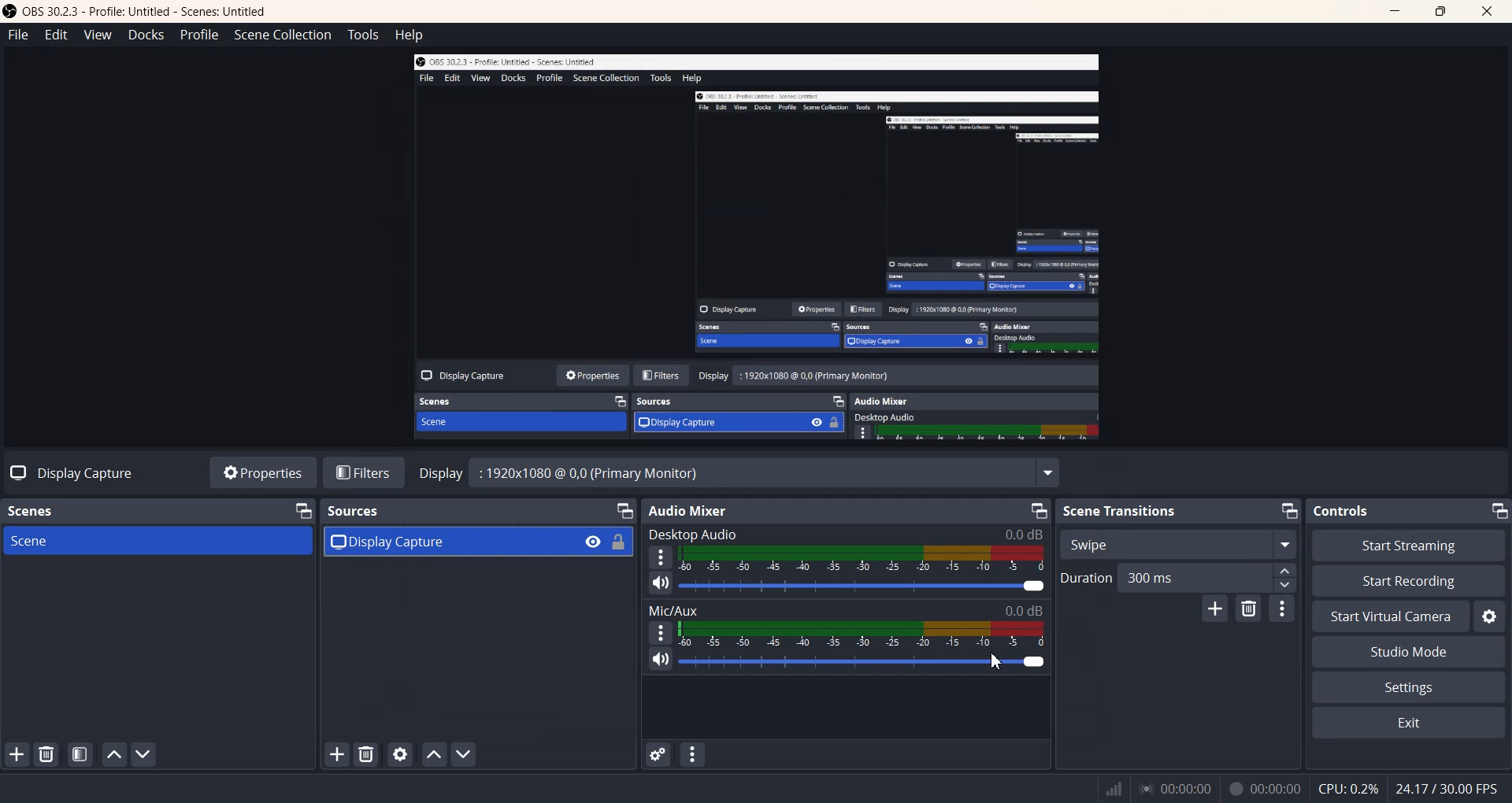 This screenshot has width=1512, height=803. What do you see at coordinates (1114, 792) in the screenshot?
I see `signal display ` at bounding box center [1114, 792].